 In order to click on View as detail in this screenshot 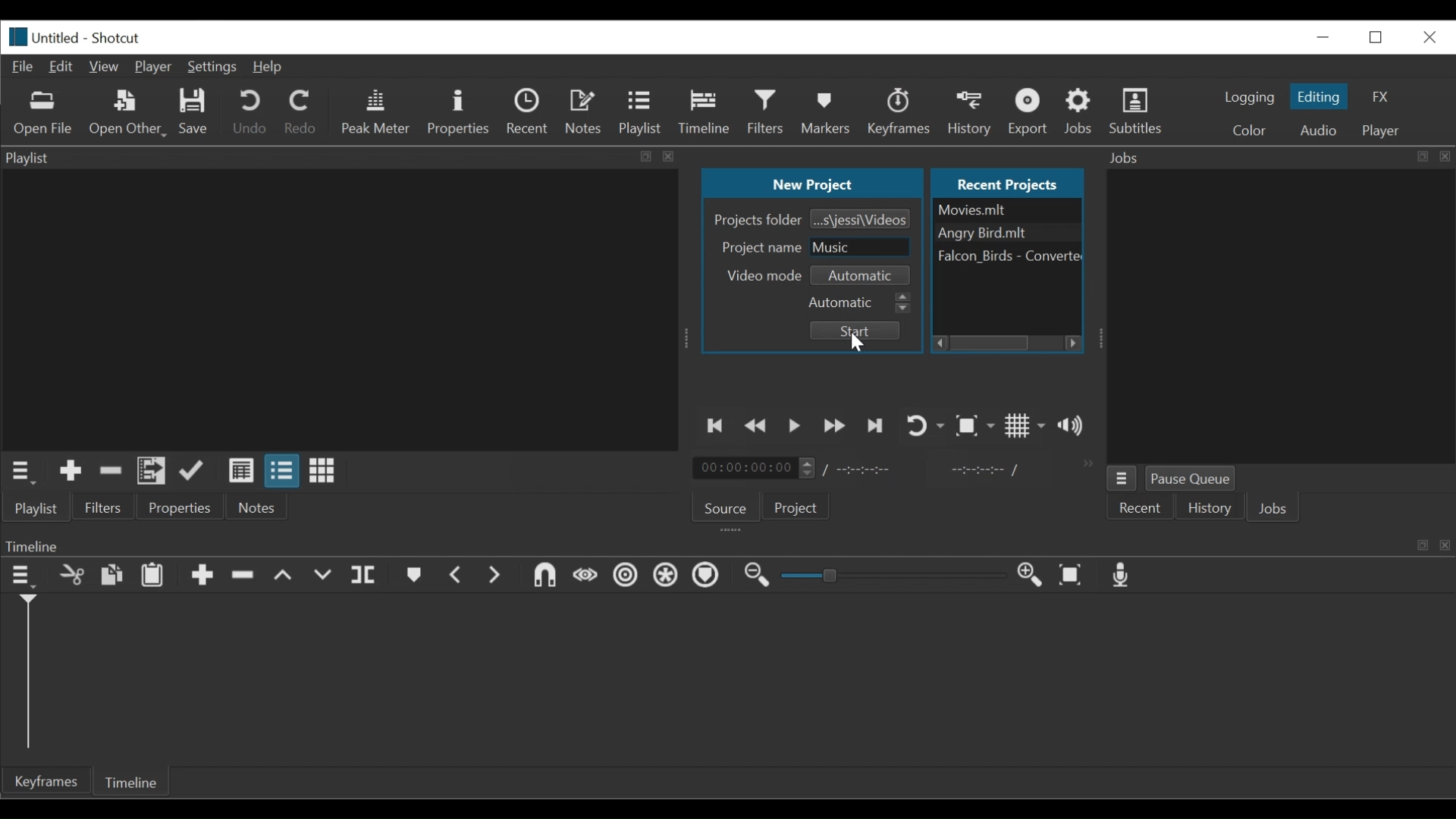, I will do `click(240, 472)`.